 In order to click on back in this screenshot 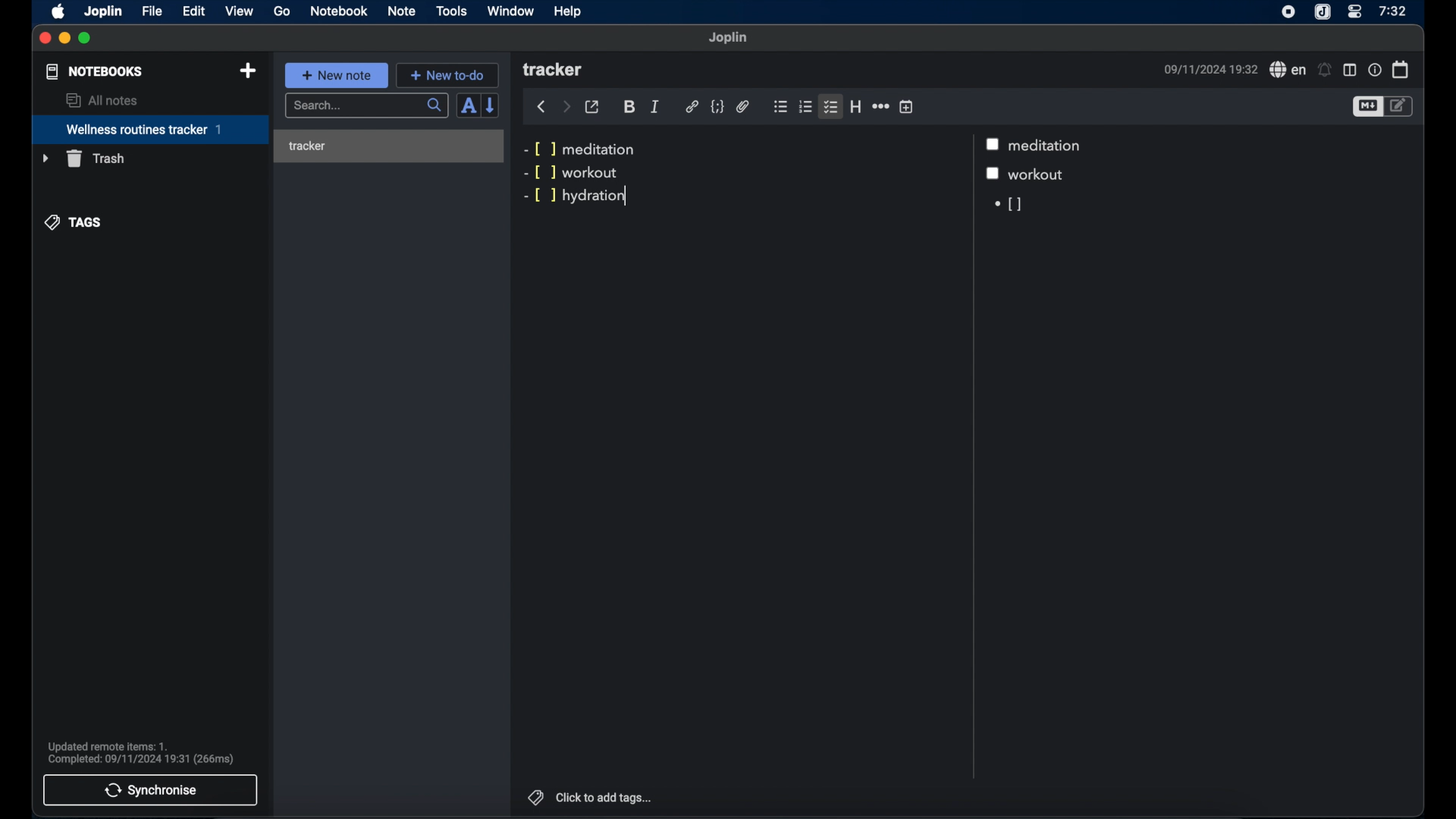, I will do `click(541, 107)`.